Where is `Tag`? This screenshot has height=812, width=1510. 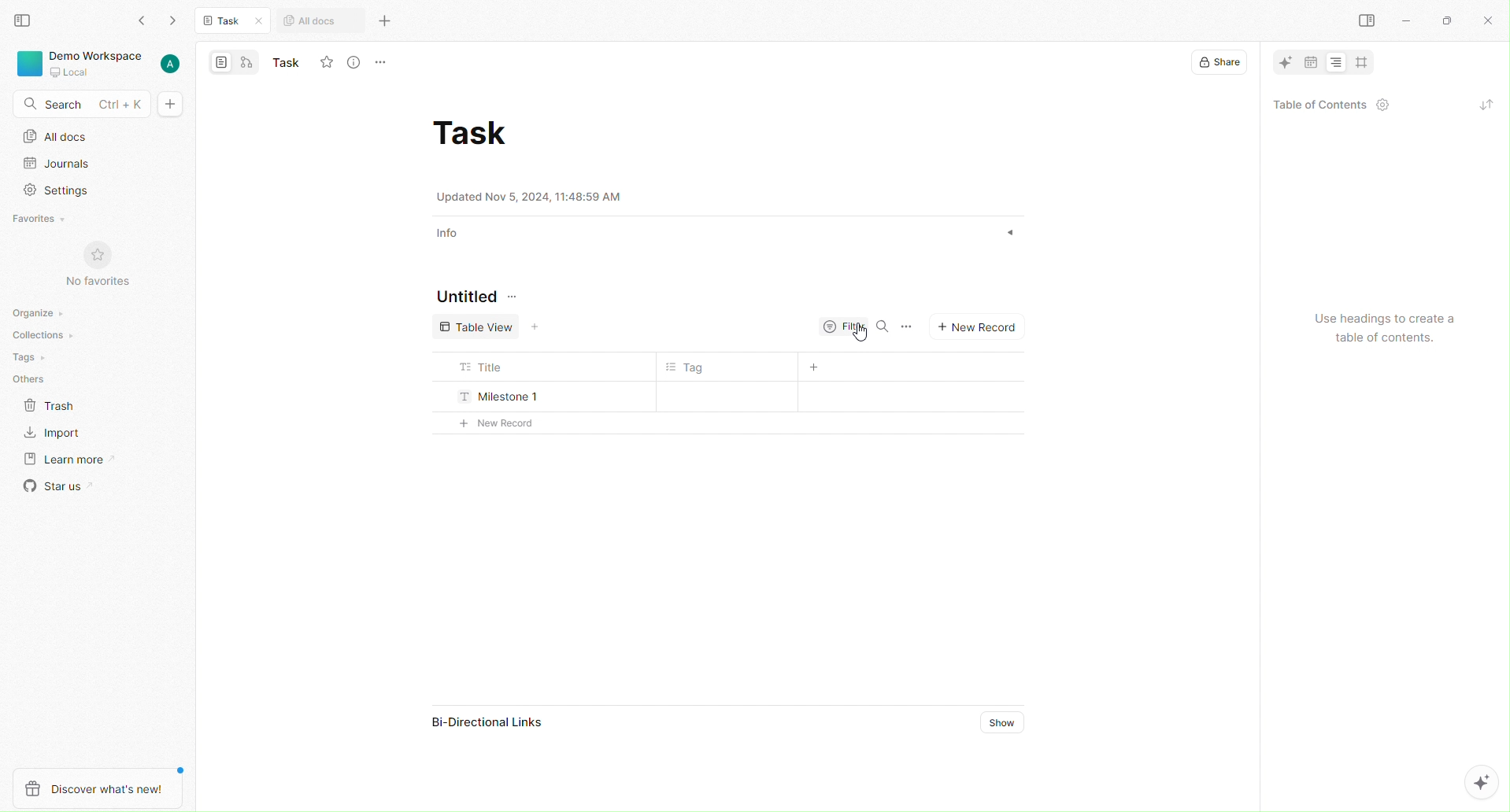 Tag is located at coordinates (691, 367).